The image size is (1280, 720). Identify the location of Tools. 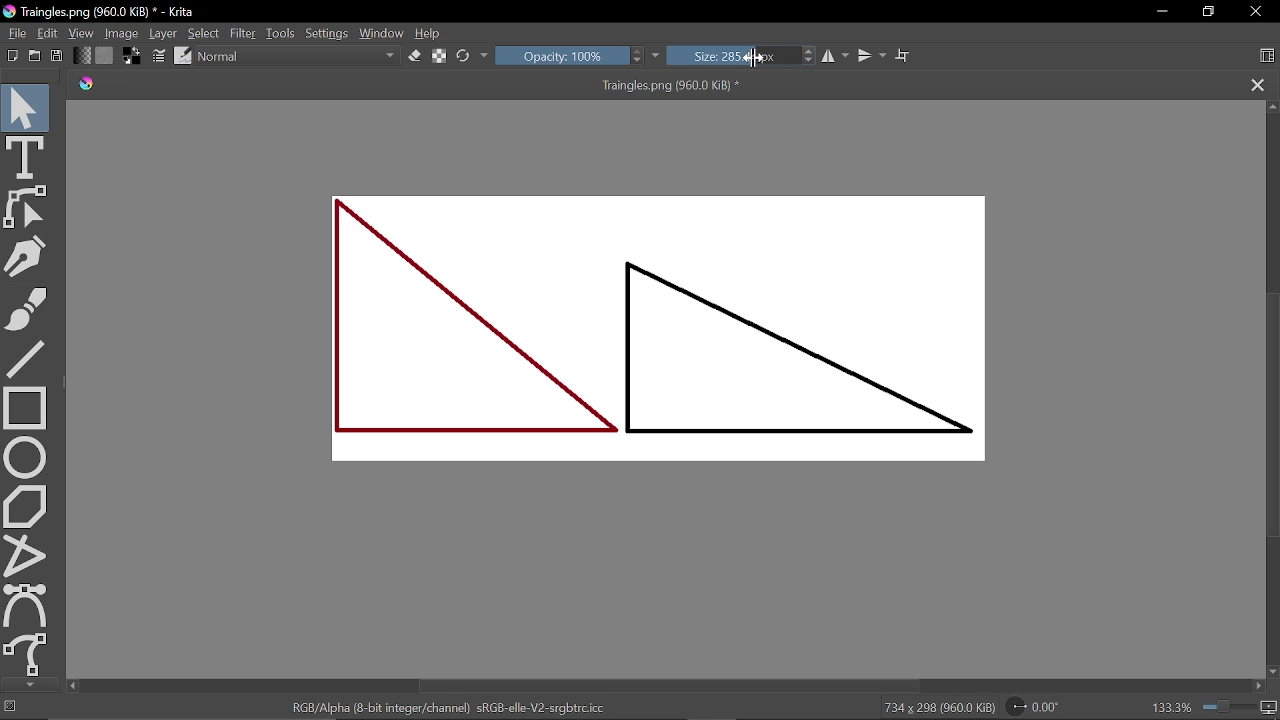
(281, 33).